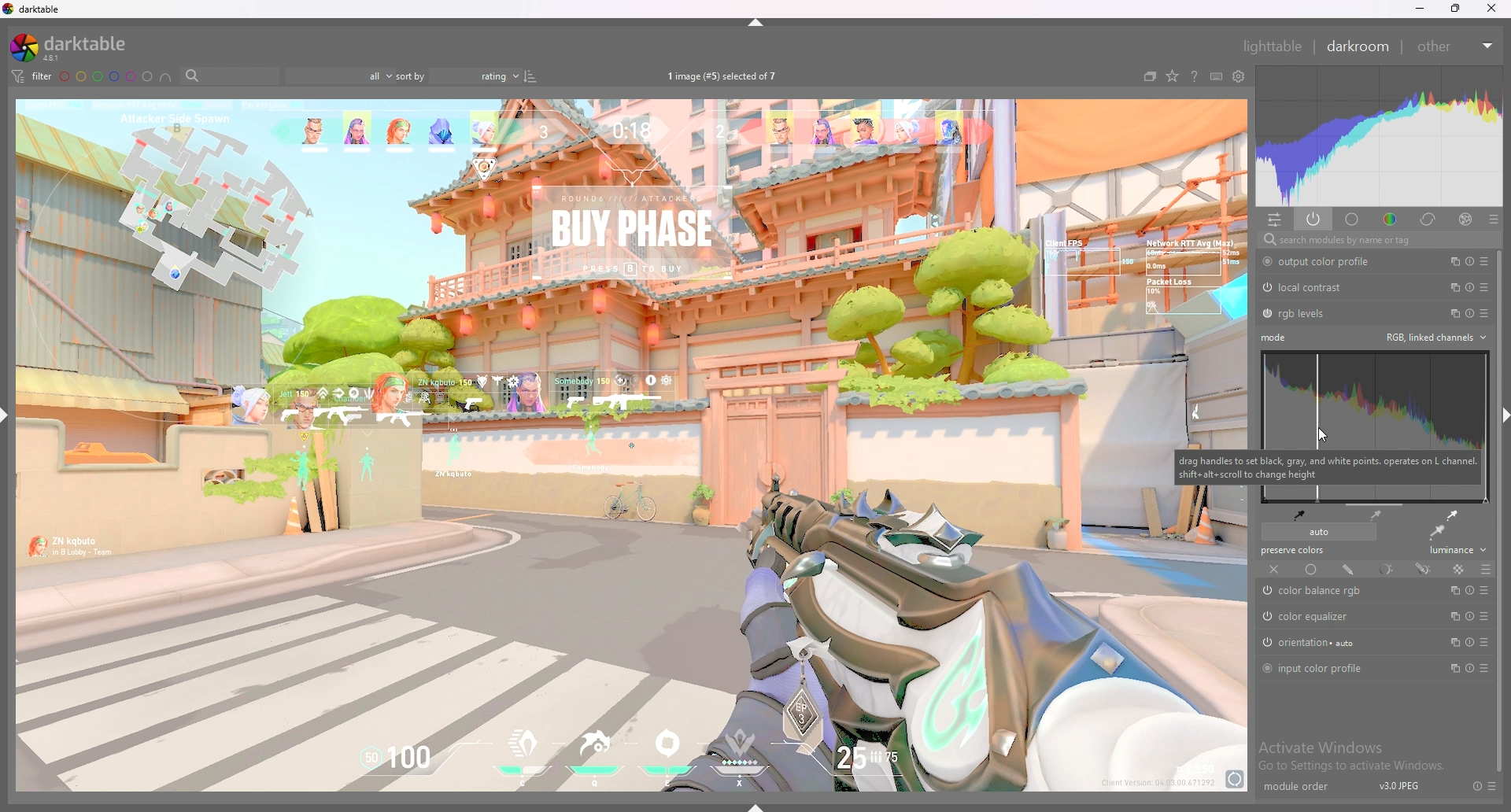 This screenshot has width=1511, height=812. Describe the element at coordinates (1484, 591) in the screenshot. I see `presets` at that location.